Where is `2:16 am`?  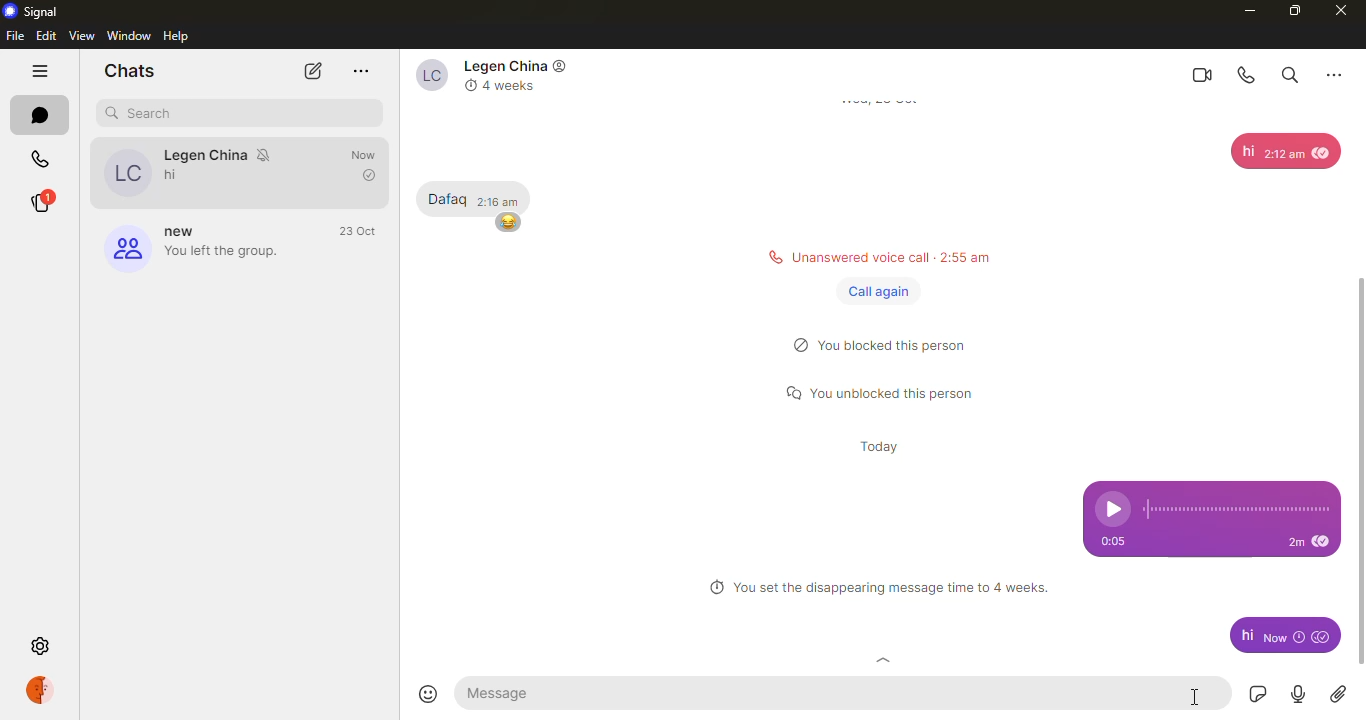
2:16 am is located at coordinates (499, 199).